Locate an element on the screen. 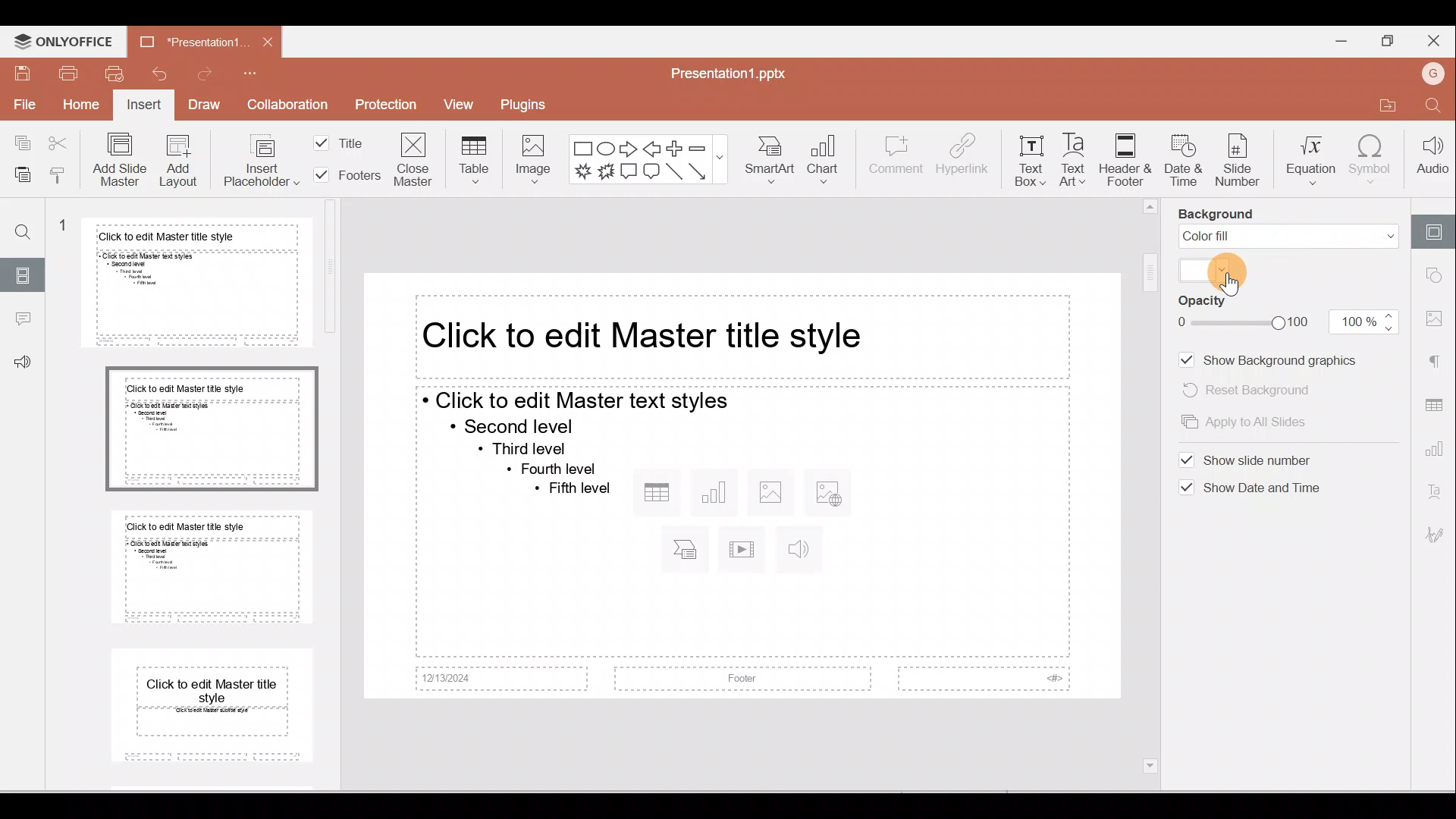 The height and width of the screenshot is (819, 1456). vertical scrollbar is located at coordinates (331, 272).